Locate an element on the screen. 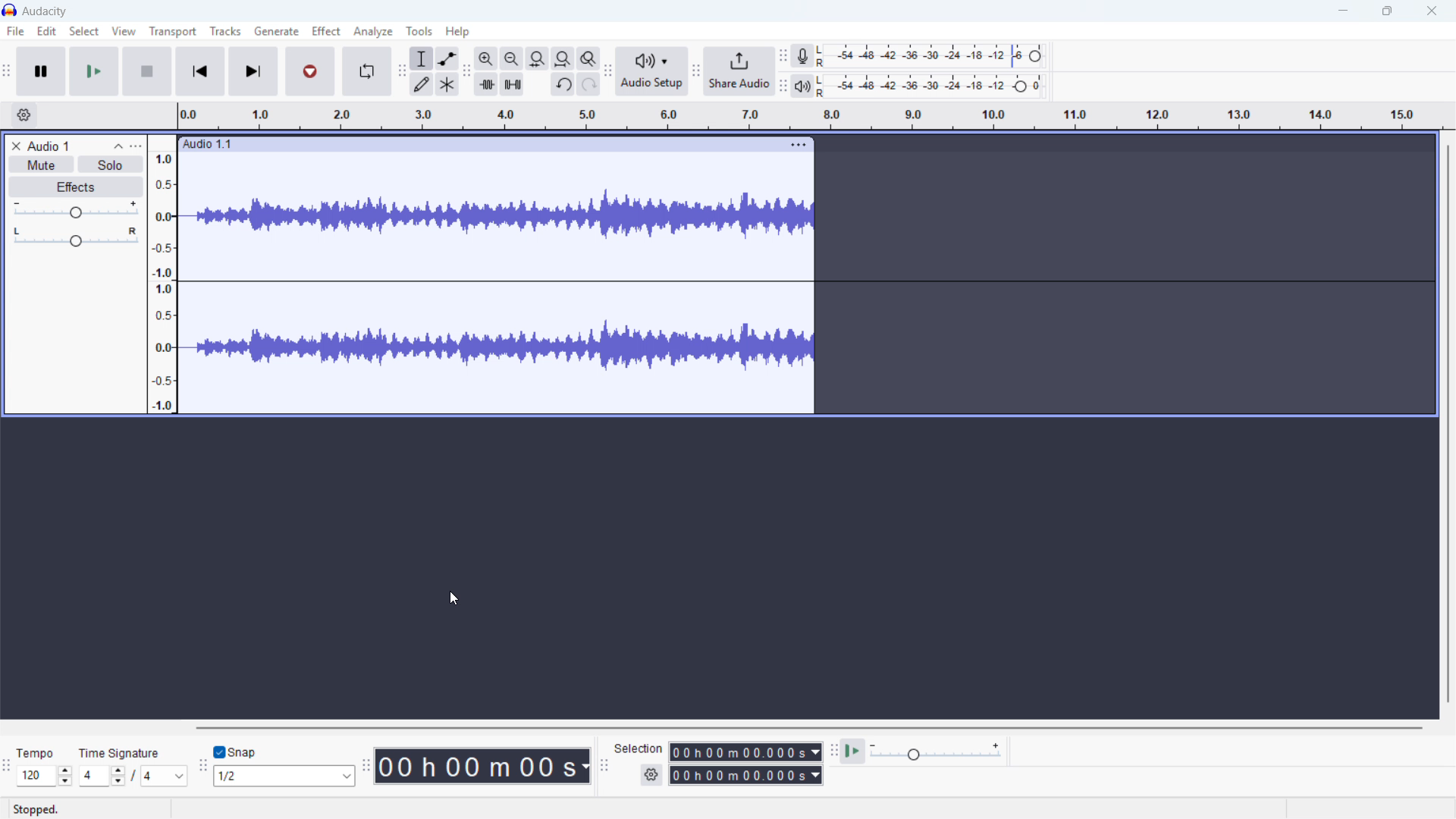  Track control panel menu  is located at coordinates (136, 146).